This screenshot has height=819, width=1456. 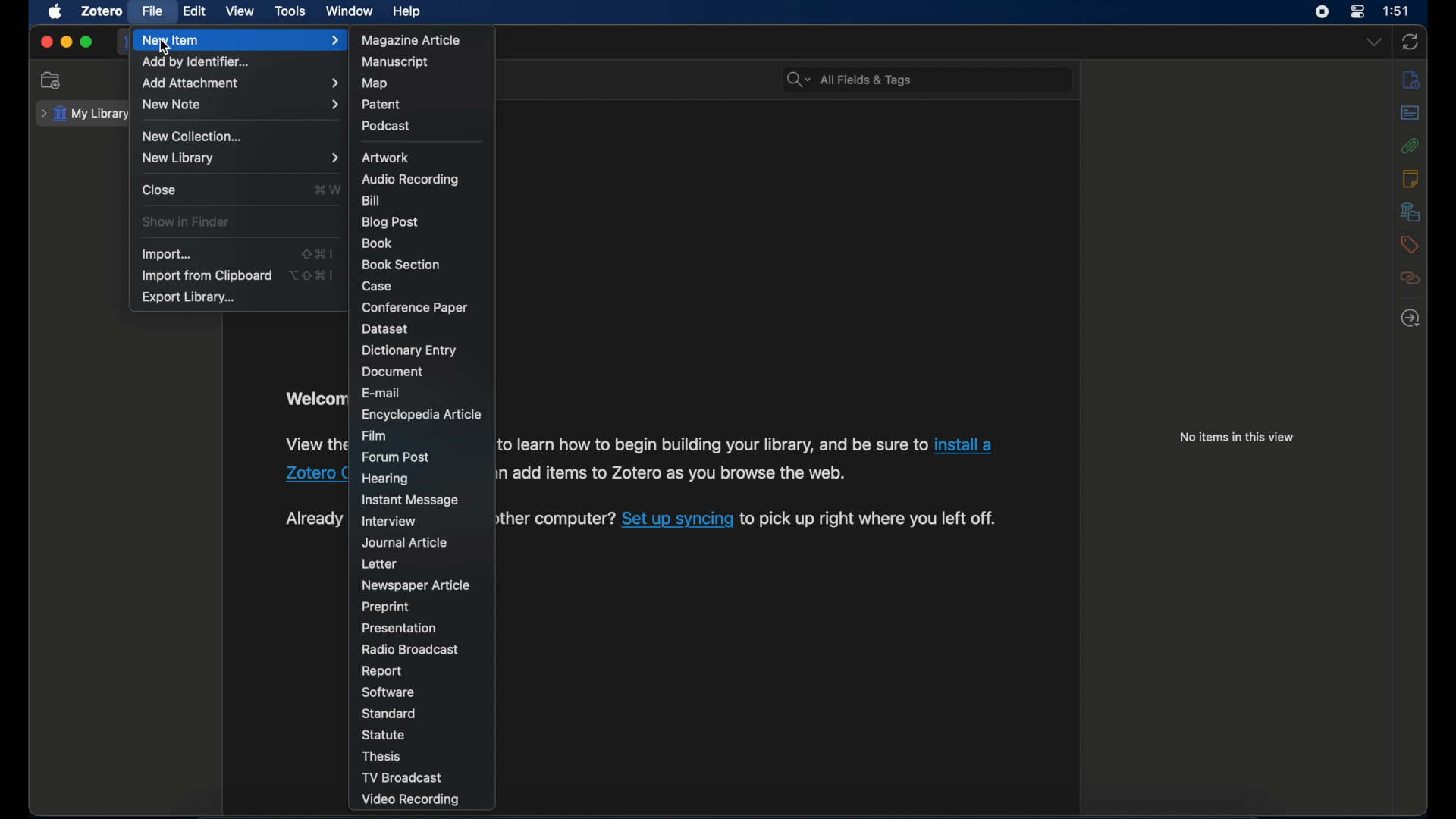 What do you see at coordinates (1410, 112) in the screenshot?
I see `abstract` at bounding box center [1410, 112].